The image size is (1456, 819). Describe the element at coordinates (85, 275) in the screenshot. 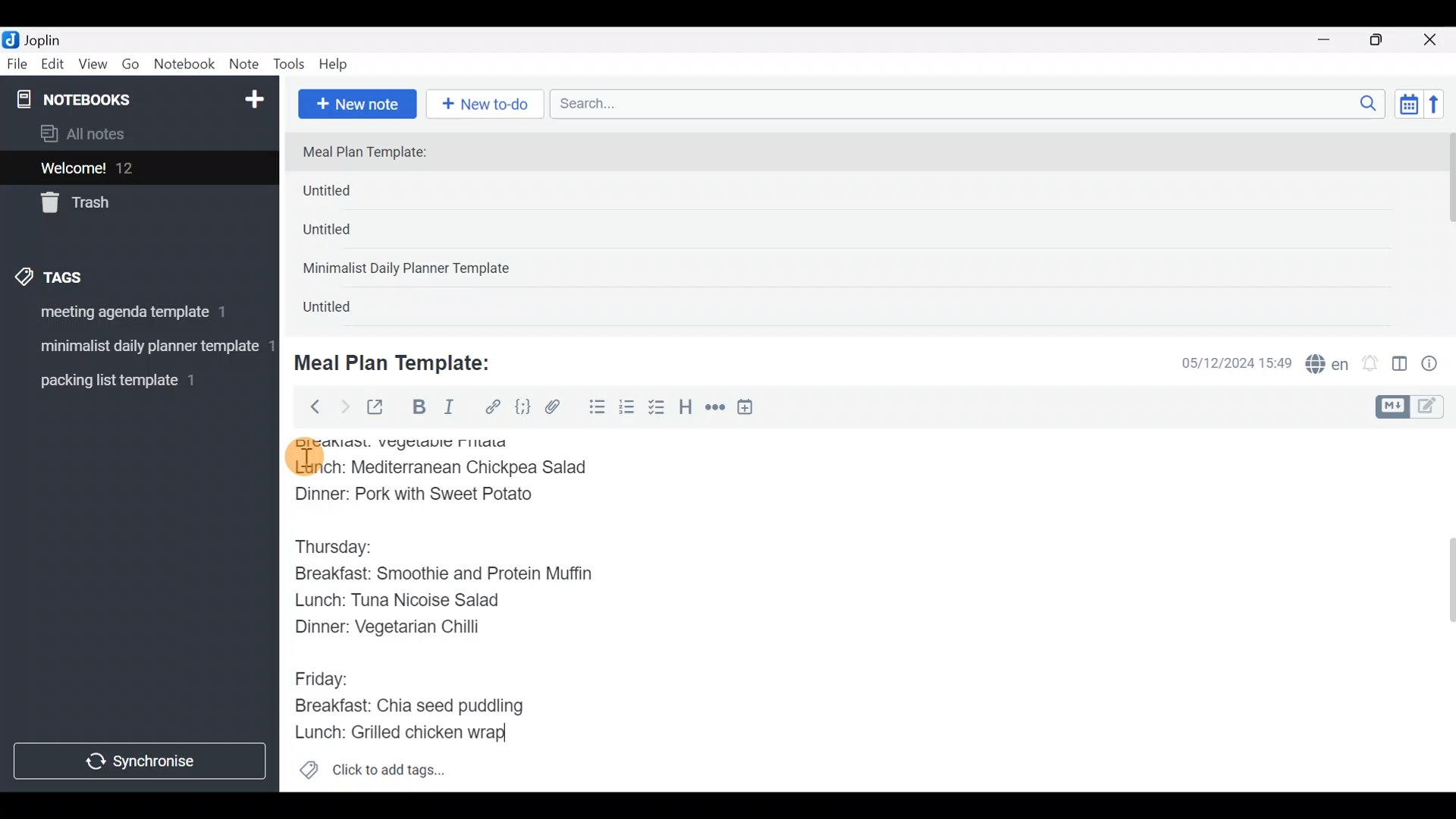

I see `Tags` at that location.